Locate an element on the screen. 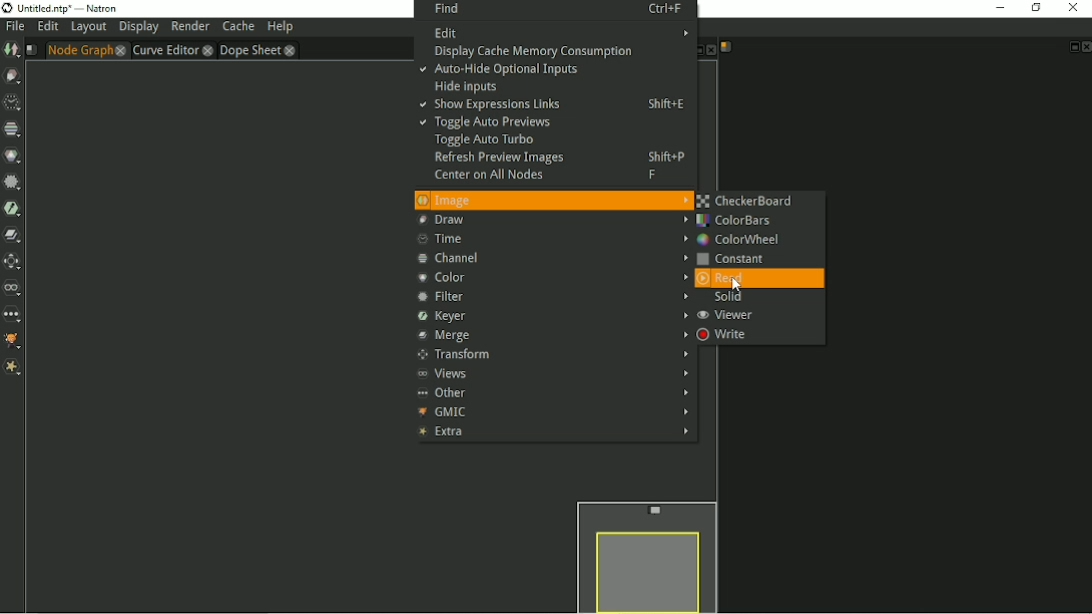 This screenshot has width=1092, height=614. Close is located at coordinates (710, 51).